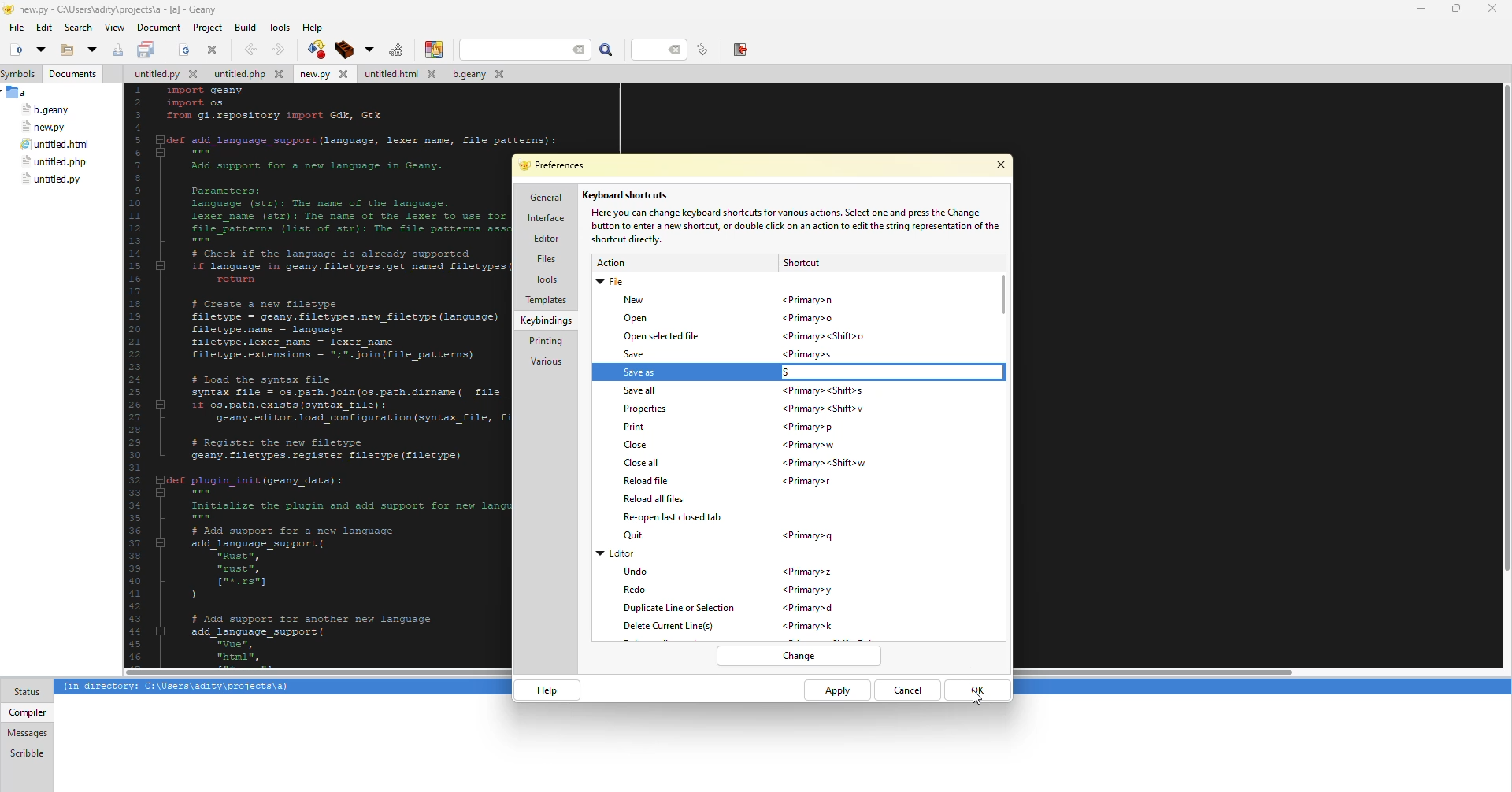 This screenshot has width=1512, height=792. Describe the element at coordinates (739, 49) in the screenshot. I see `exit` at that location.